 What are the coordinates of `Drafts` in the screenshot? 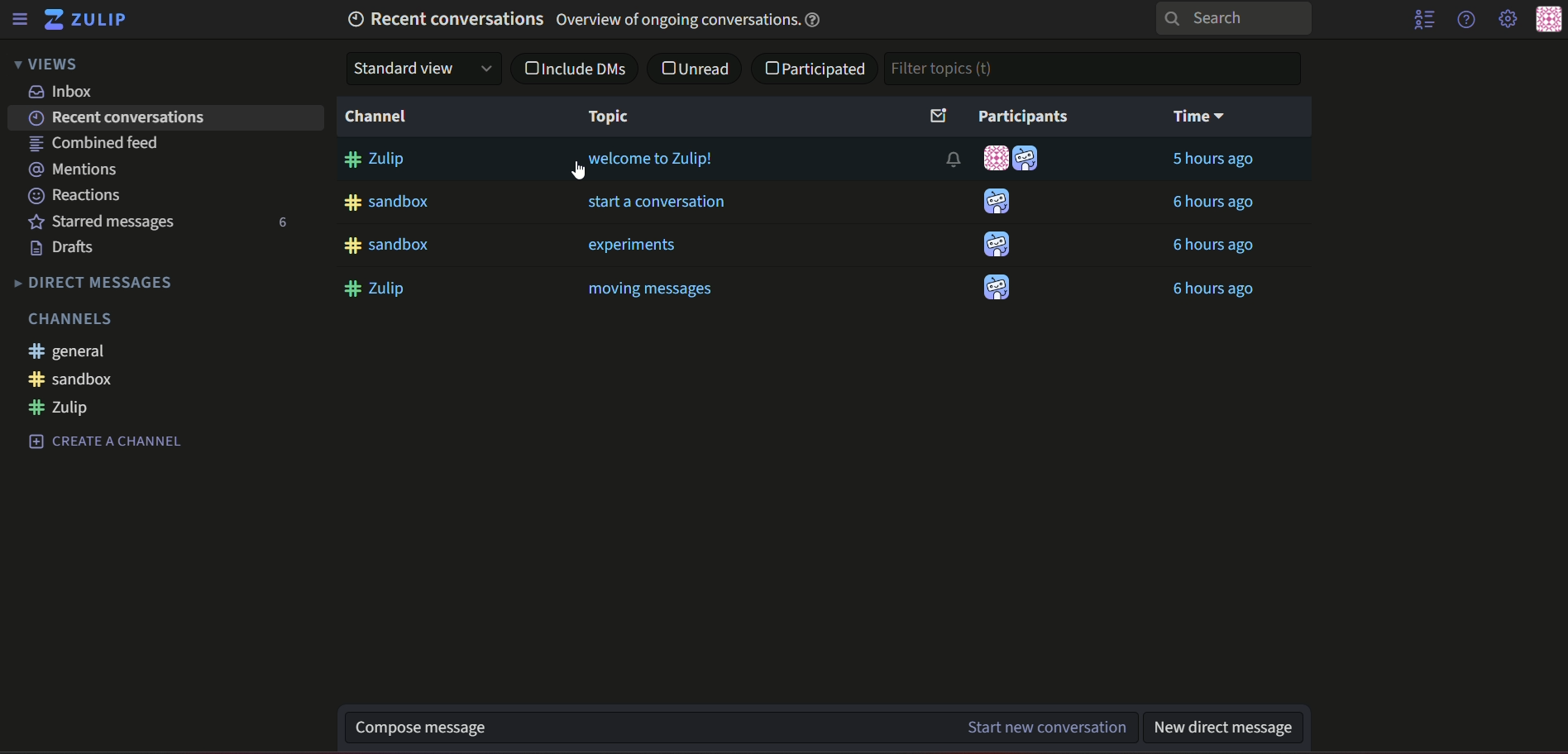 It's located at (62, 248).